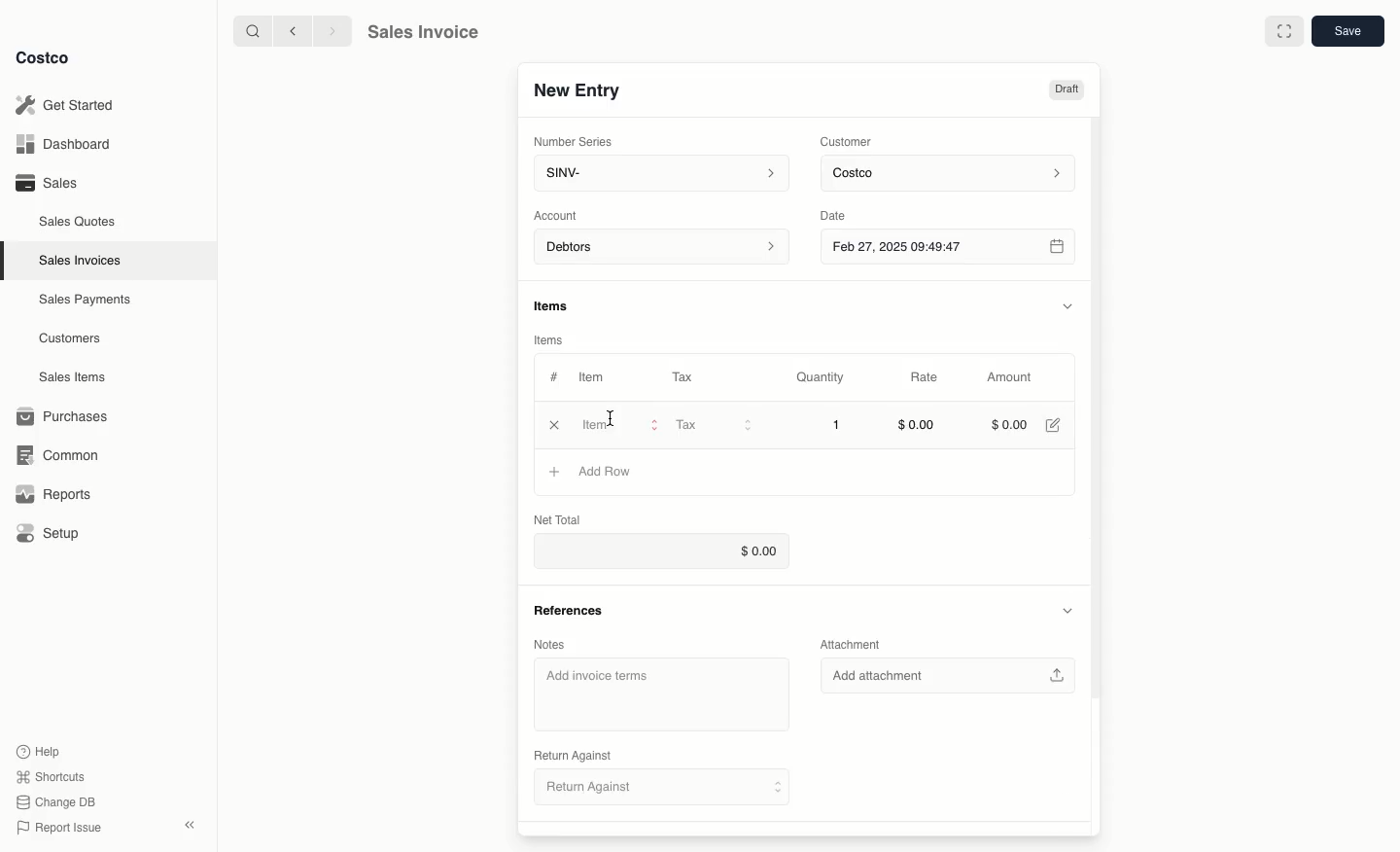  What do you see at coordinates (555, 472) in the screenshot?
I see `Add` at bounding box center [555, 472].